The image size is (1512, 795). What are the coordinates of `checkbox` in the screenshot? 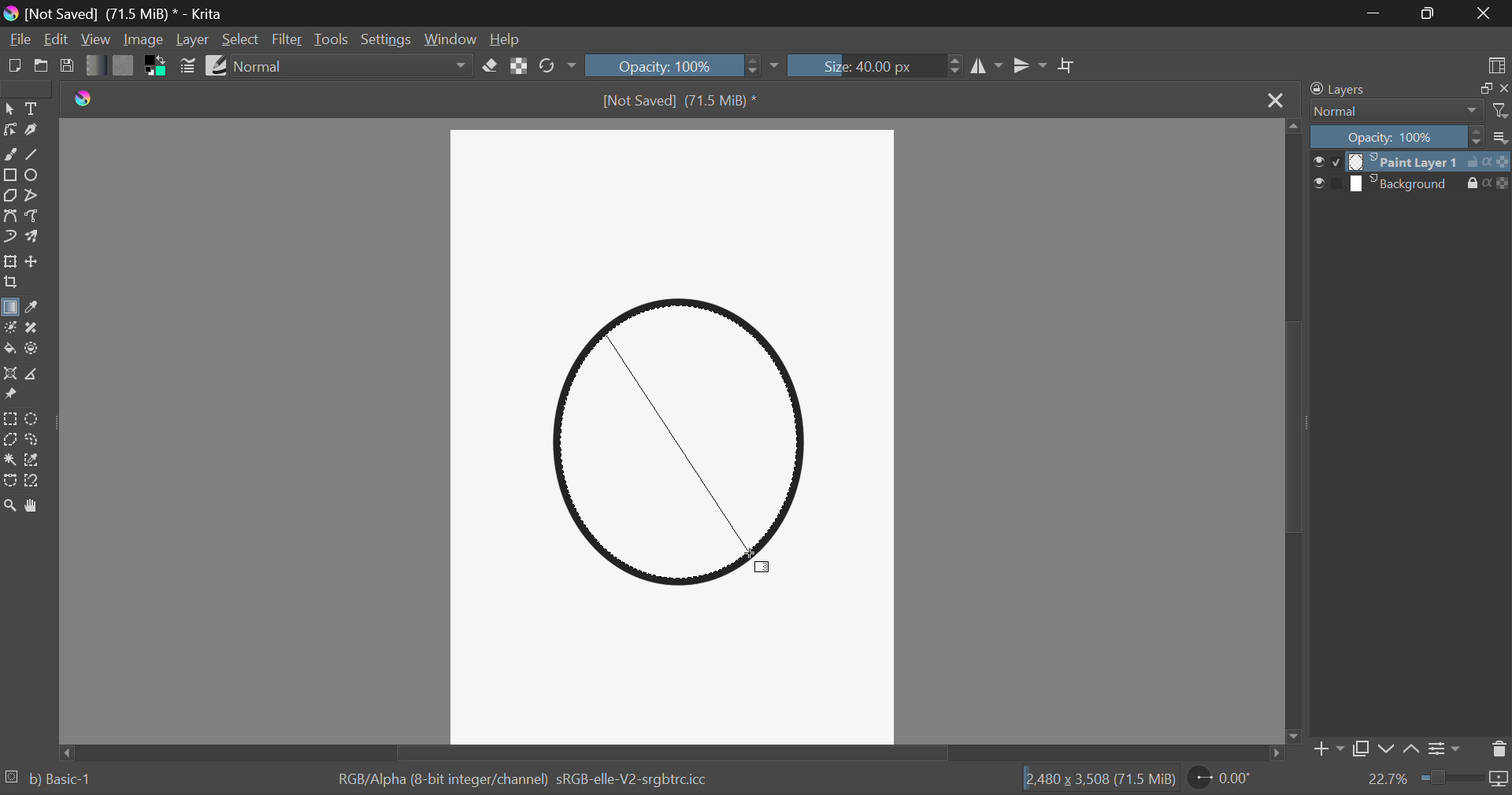 It's located at (1326, 162).